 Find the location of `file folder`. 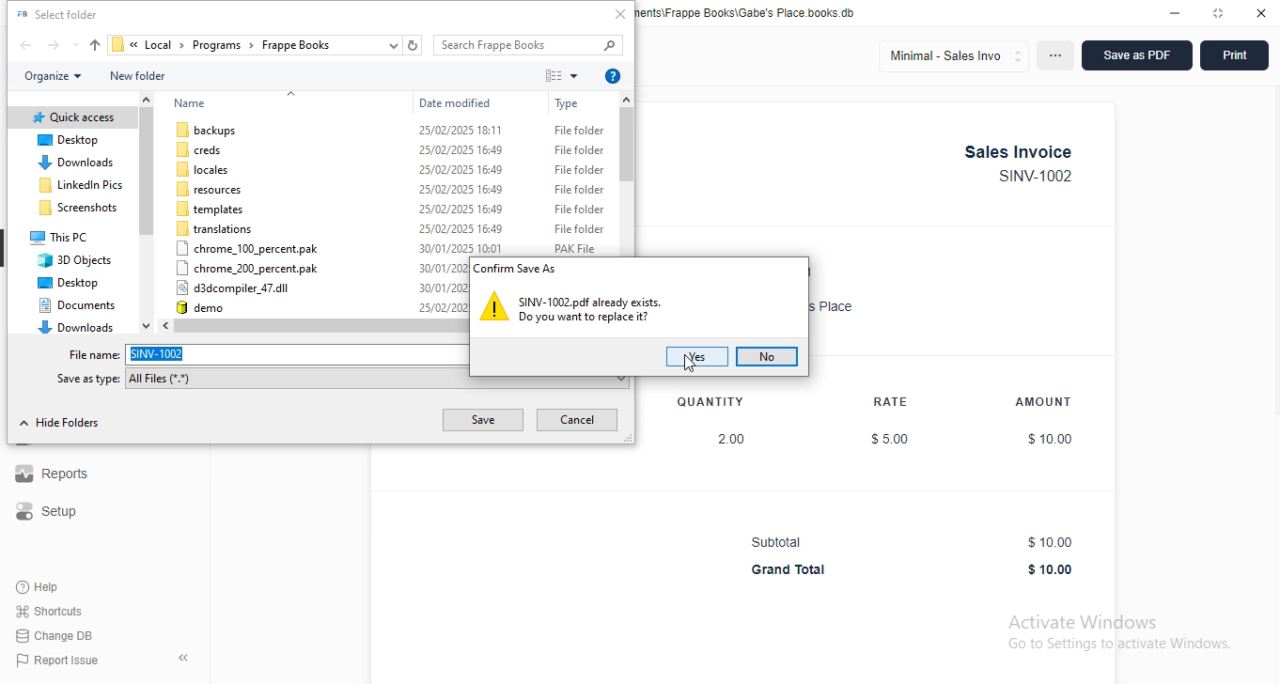

file folder is located at coordinates (579, 150).